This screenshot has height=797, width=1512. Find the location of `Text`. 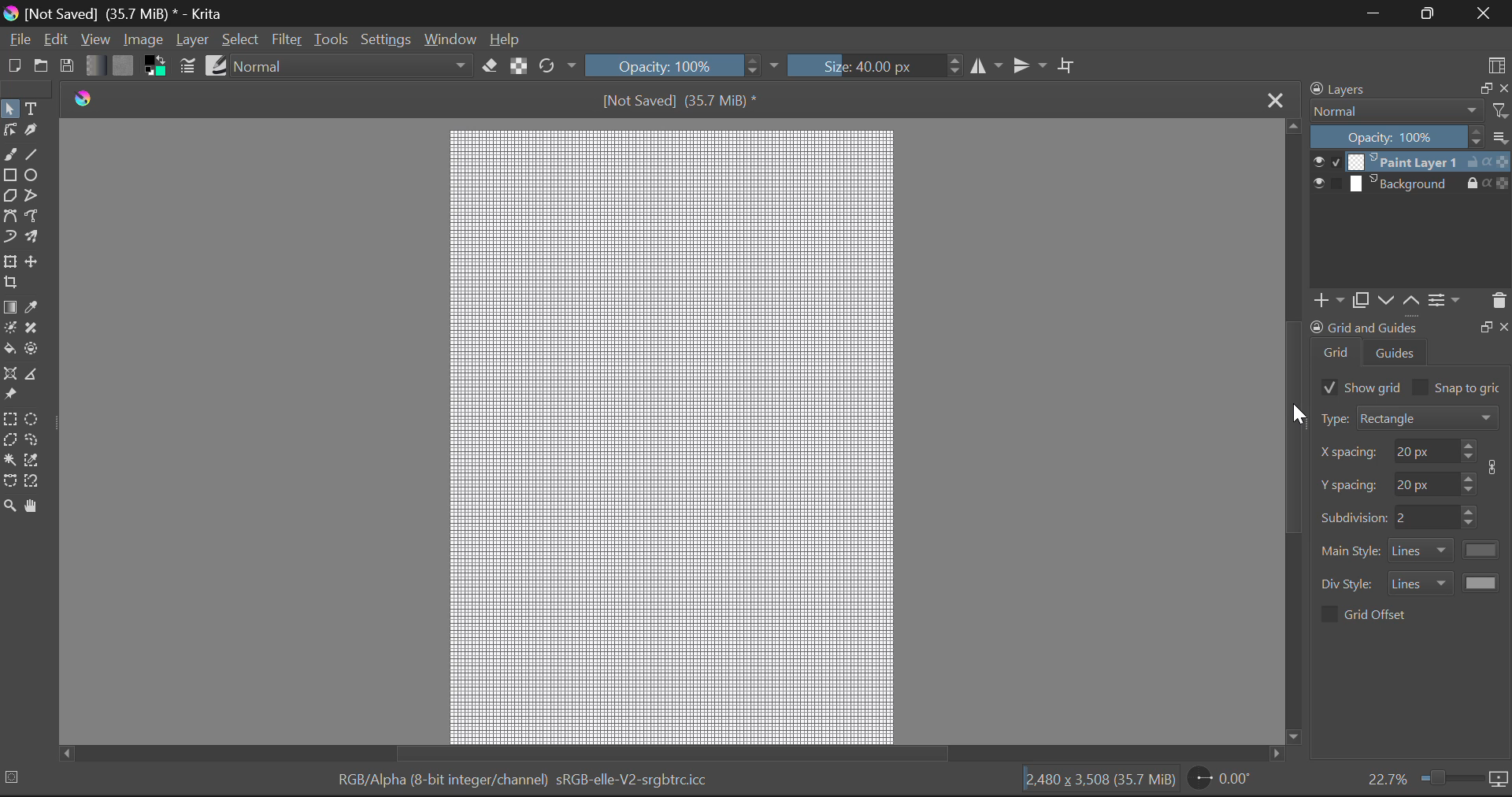

Text is located at coordinates (34, 109).